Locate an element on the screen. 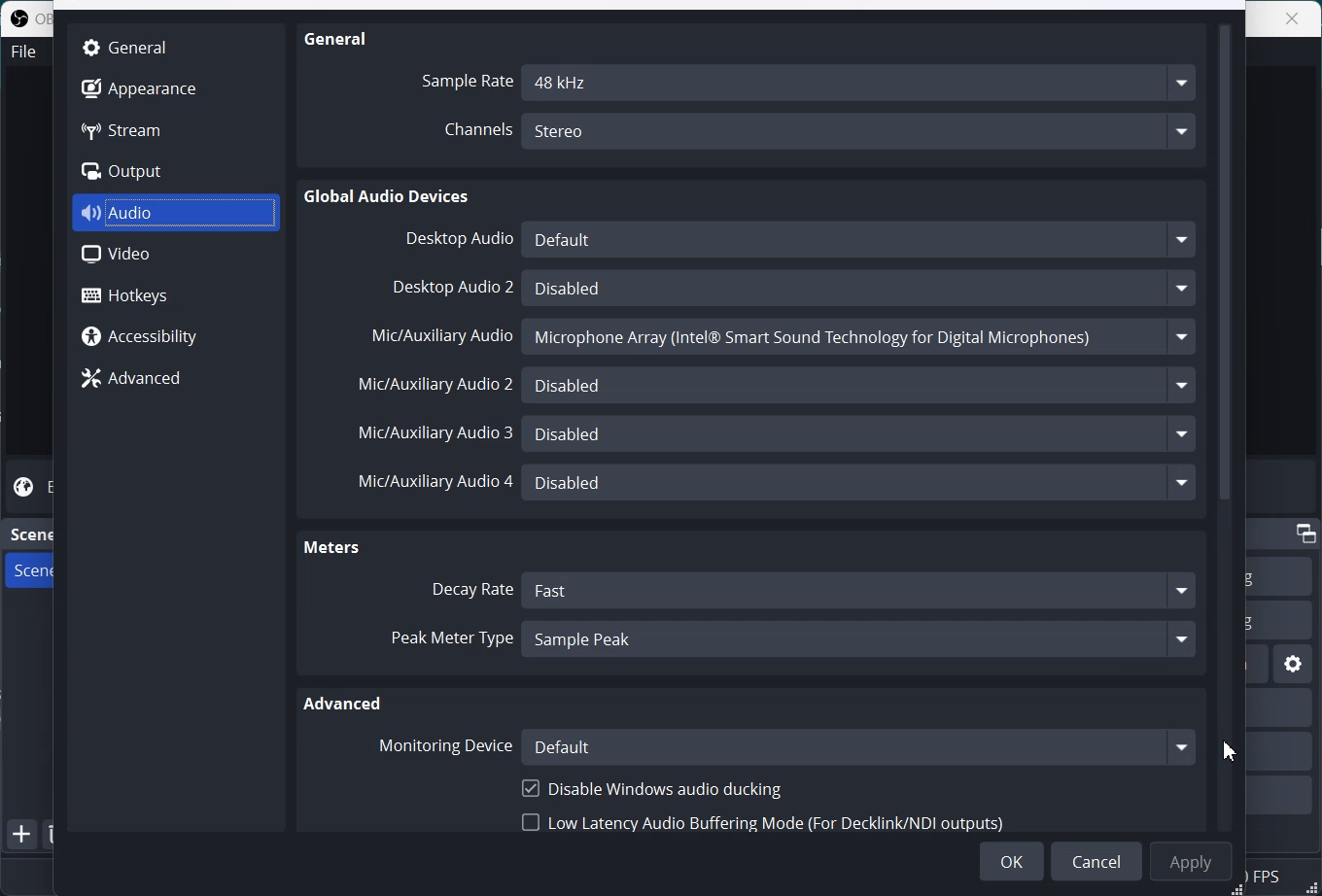 This screenshot has height=896, width=1322. General is located at coordinates (336, 38).